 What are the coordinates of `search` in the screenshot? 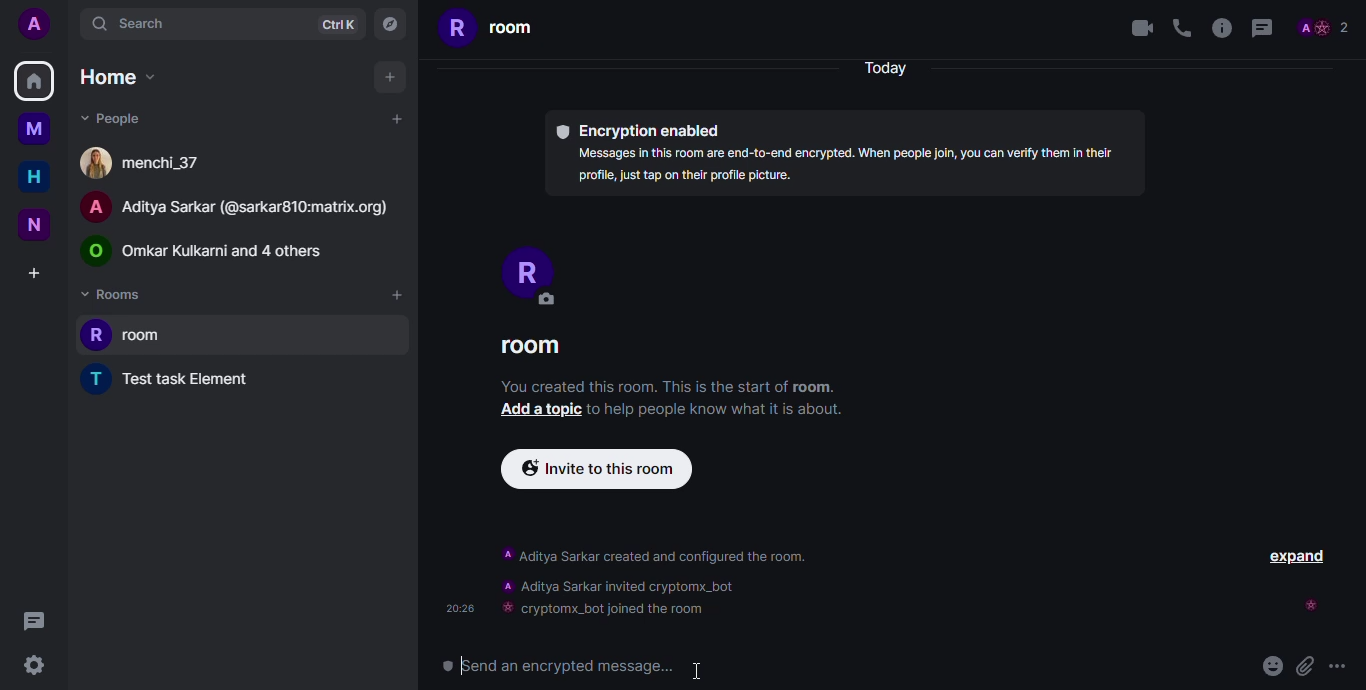 It's located at (131, 23).